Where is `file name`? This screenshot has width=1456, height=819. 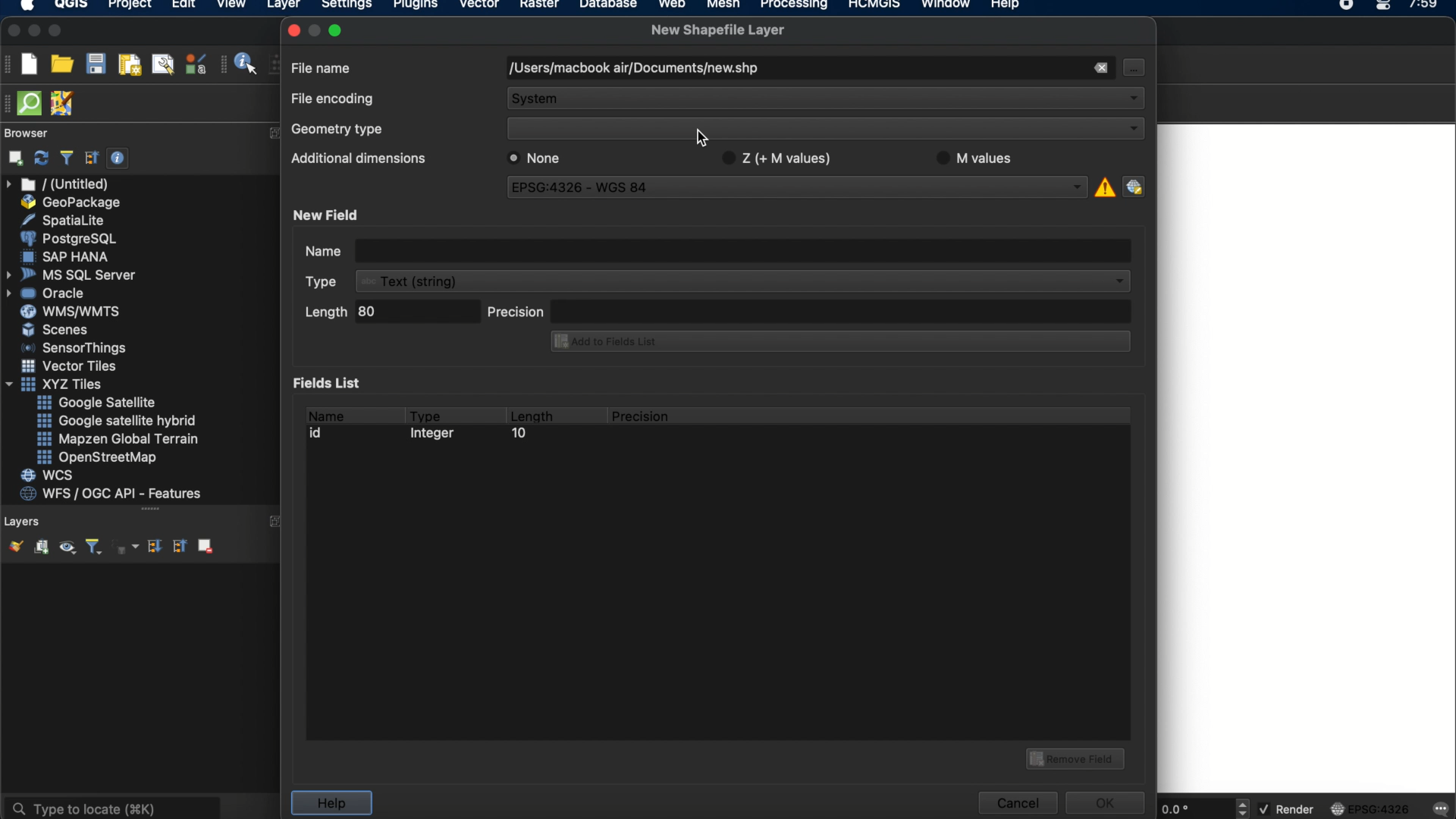 file name is located at coordinates (322, 67).